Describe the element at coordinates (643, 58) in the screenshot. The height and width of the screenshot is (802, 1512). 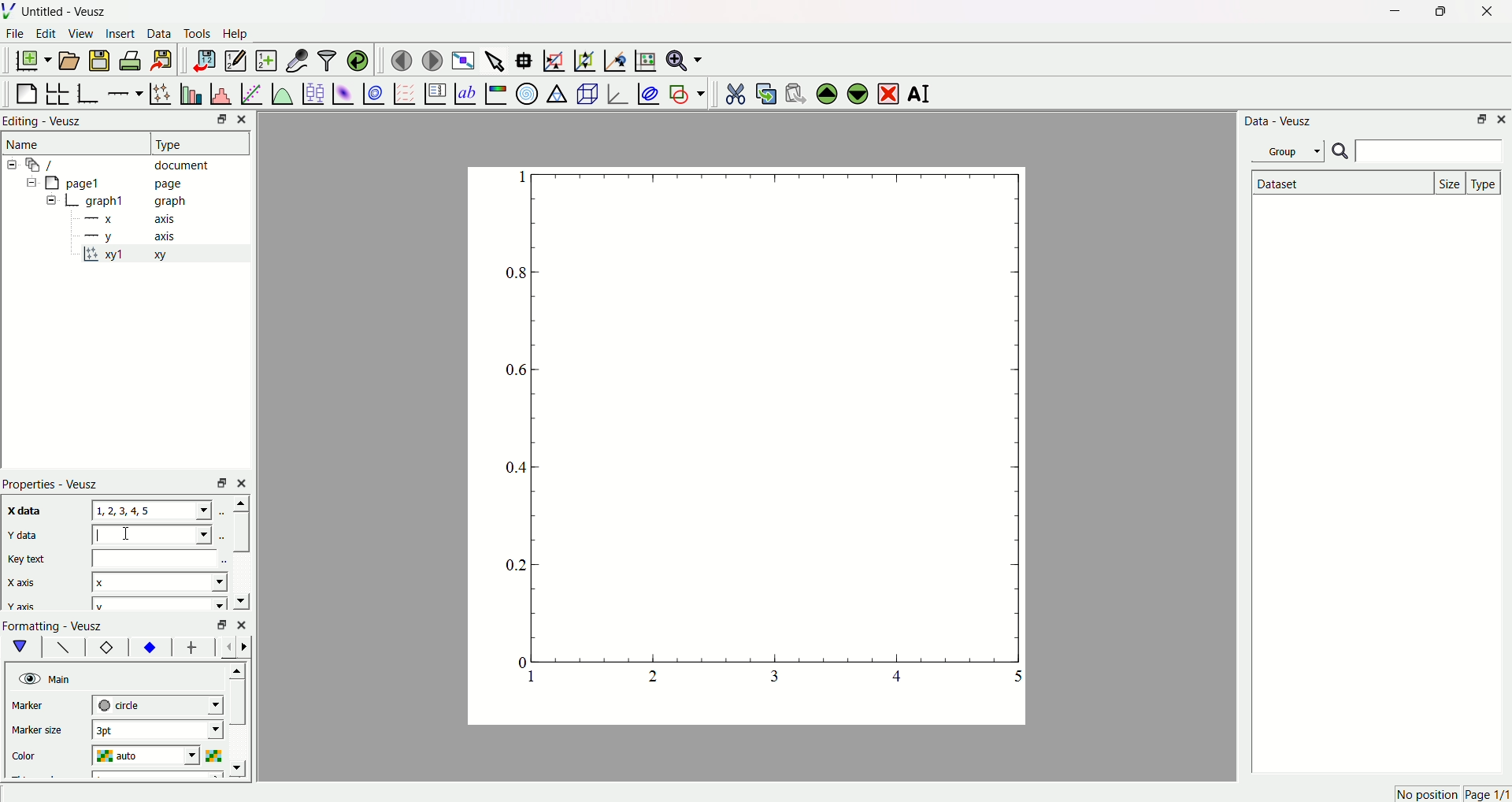
I see `reset the graph axes` at that location.